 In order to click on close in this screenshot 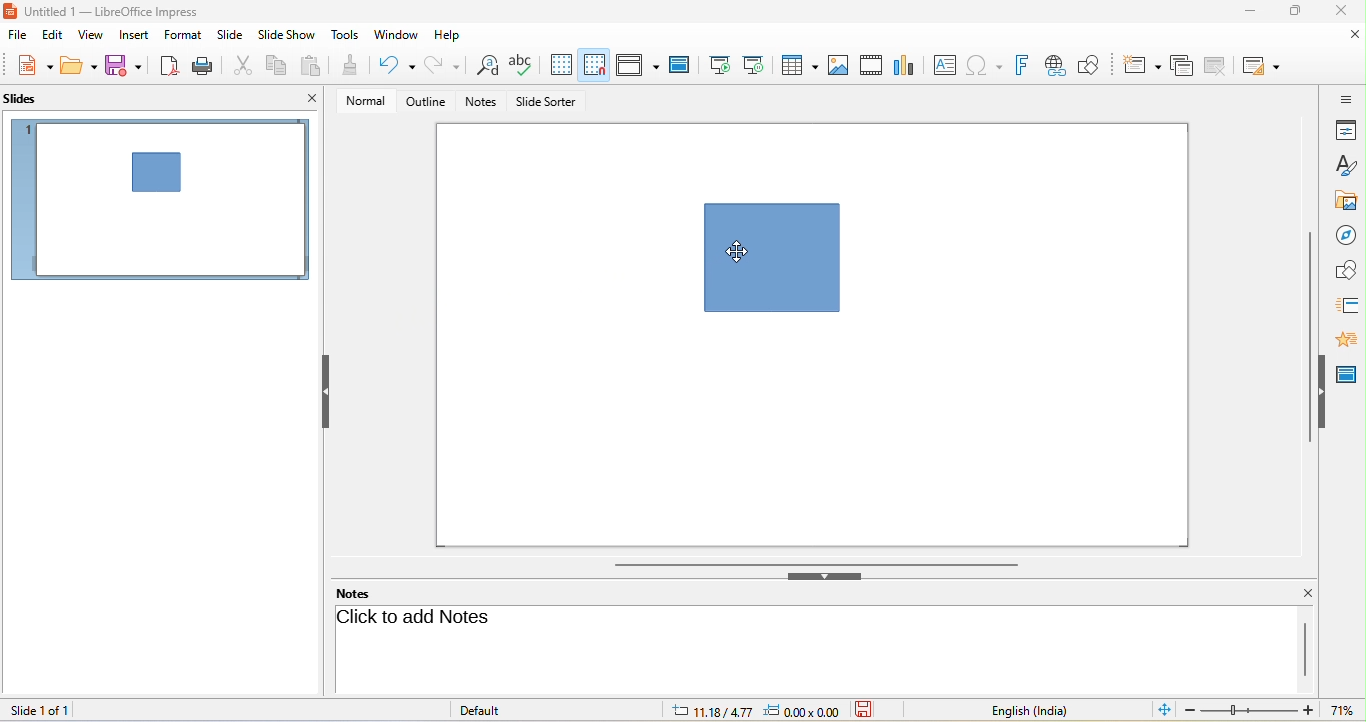, I will do `click(310, 98)`.